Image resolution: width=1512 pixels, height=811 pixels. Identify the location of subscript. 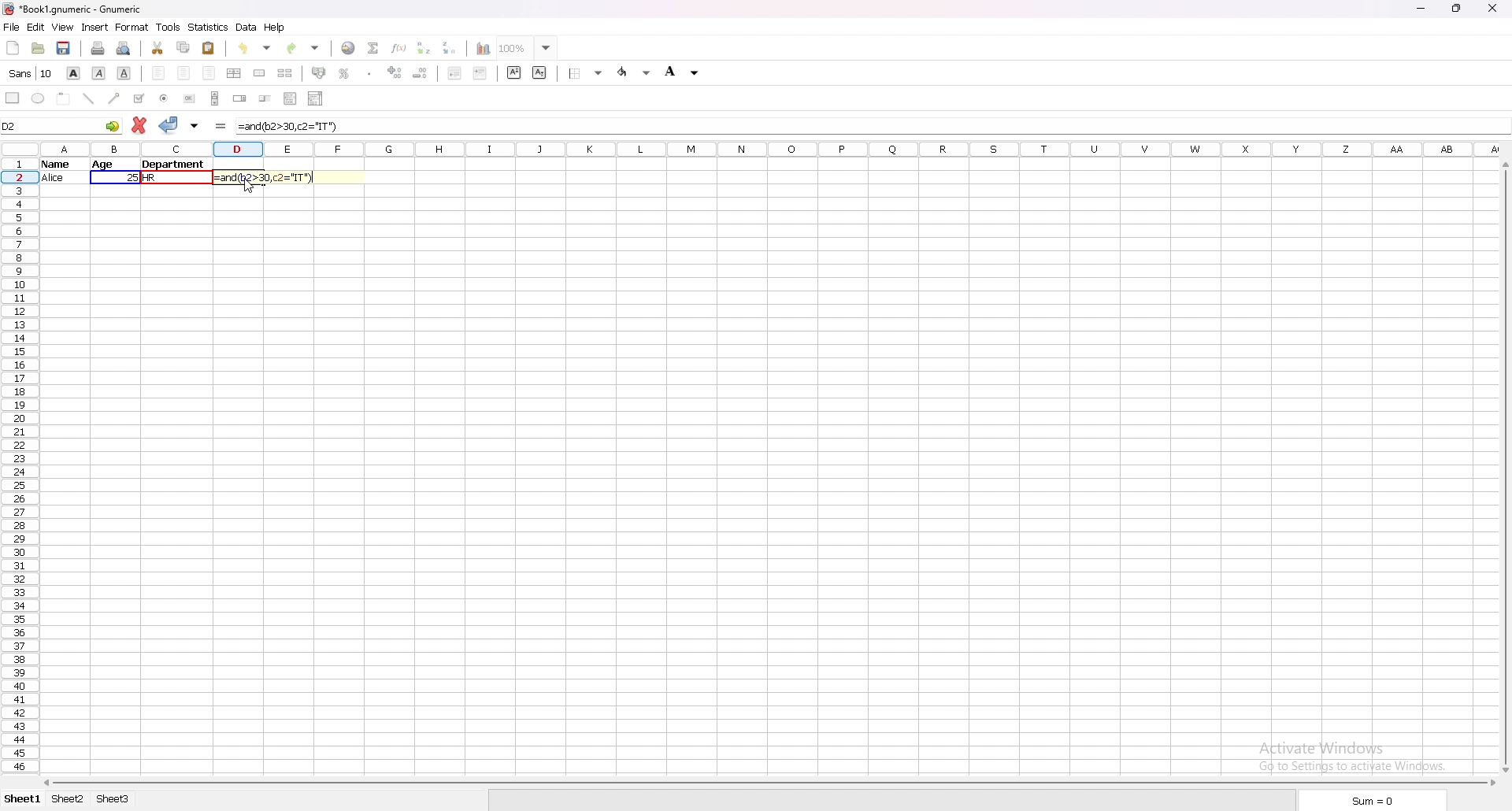
(540, 72).